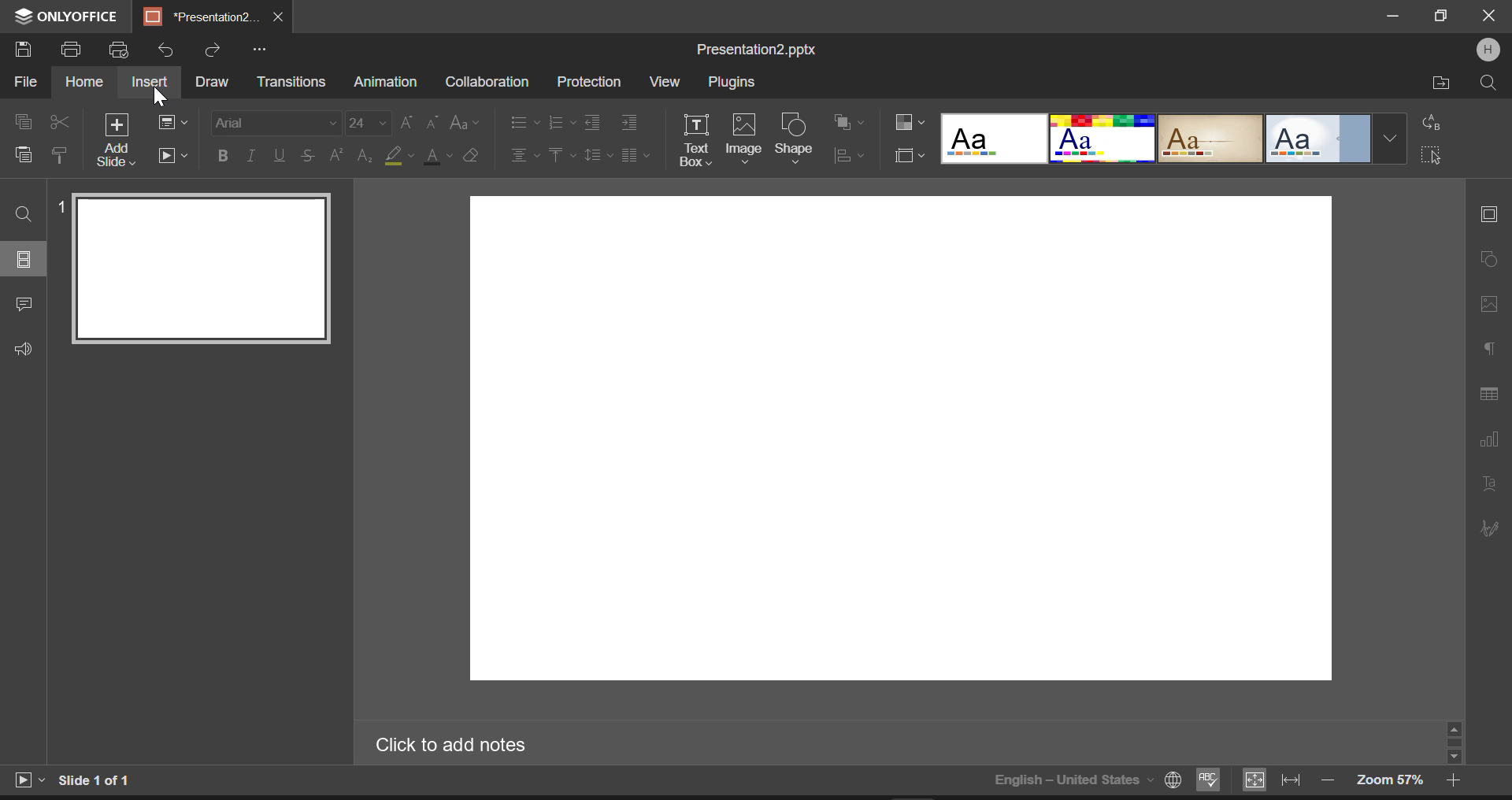 This screenshot has width=1512, height=800. Describe the element at coordinates (24, 157) in the screenshot. I see `Paste` at that location.